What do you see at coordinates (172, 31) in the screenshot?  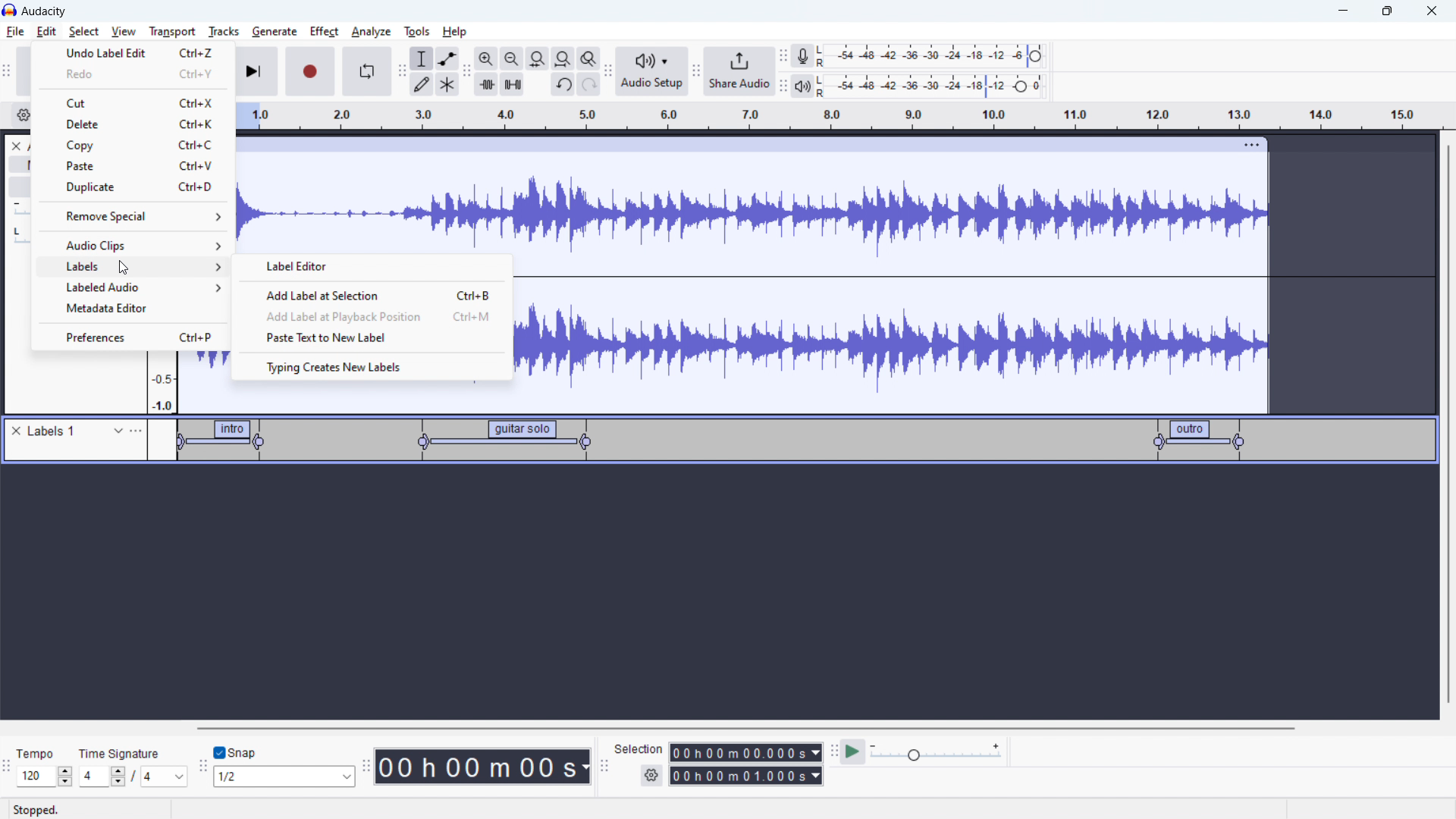 I see `transport` at bounding box center [172, 31].